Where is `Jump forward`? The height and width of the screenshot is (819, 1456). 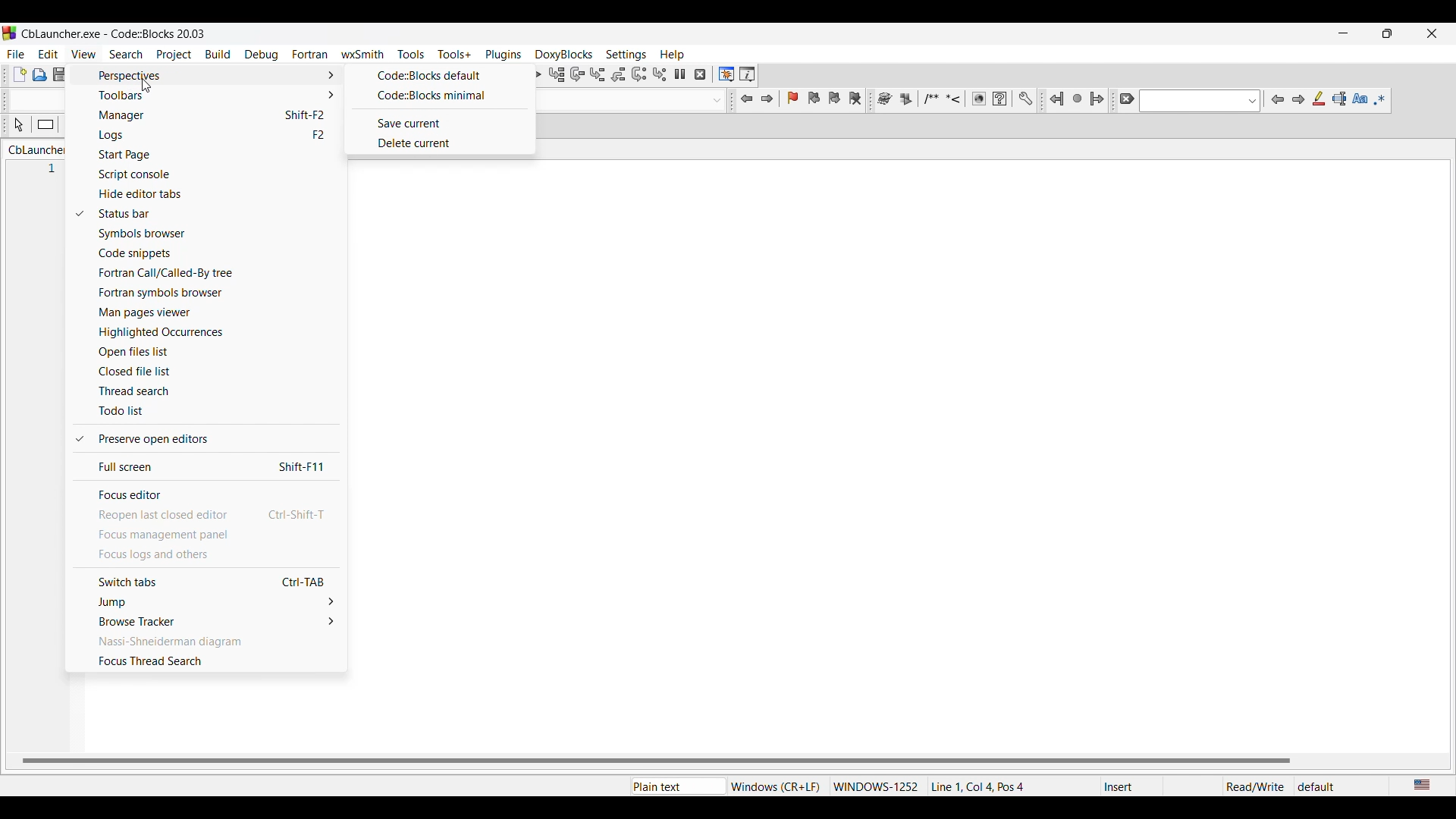 Jump forward is located at coordinates (1097, 99).